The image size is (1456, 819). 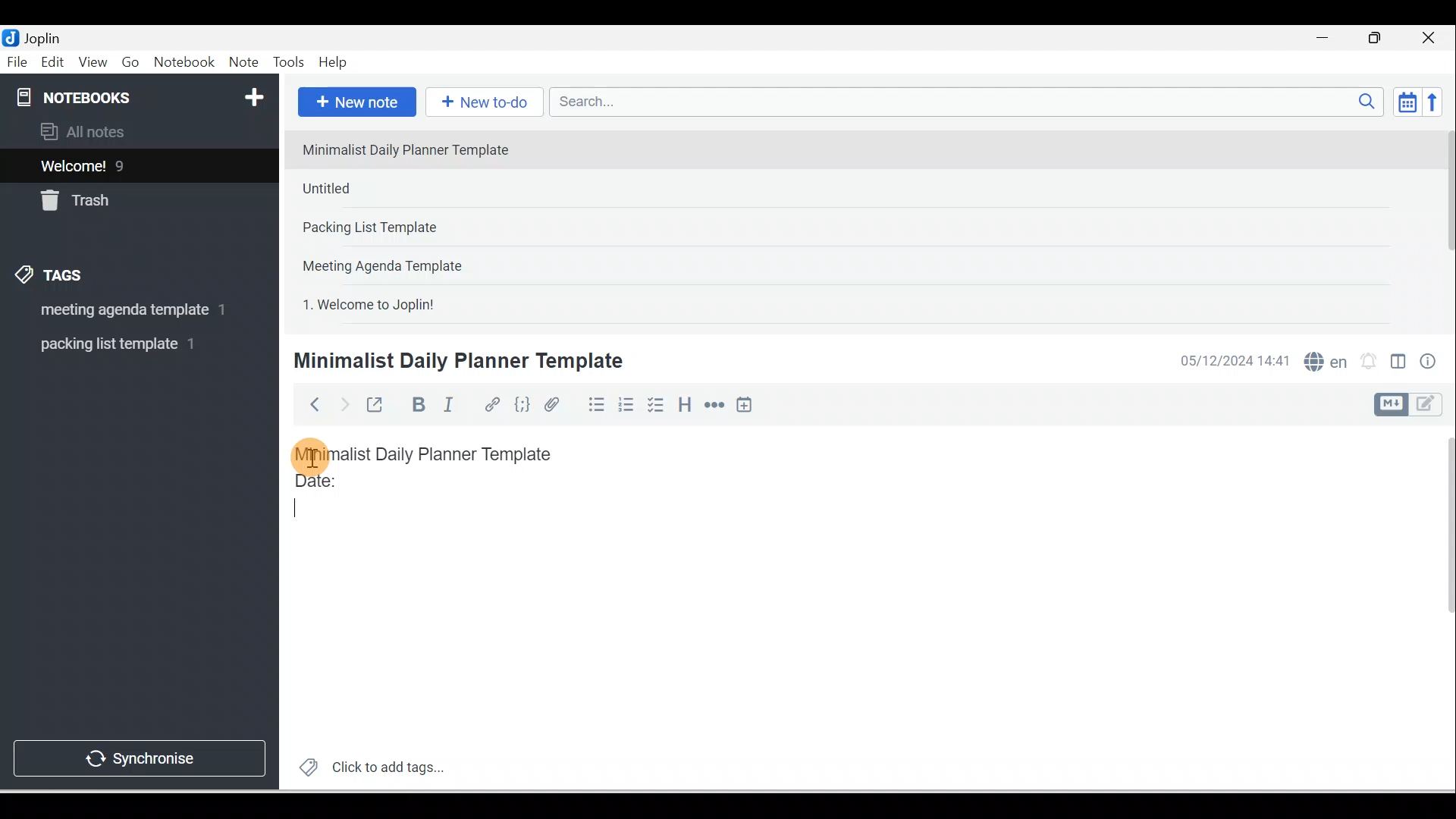 I want to click on Attach file, so click(x=556, y=404).